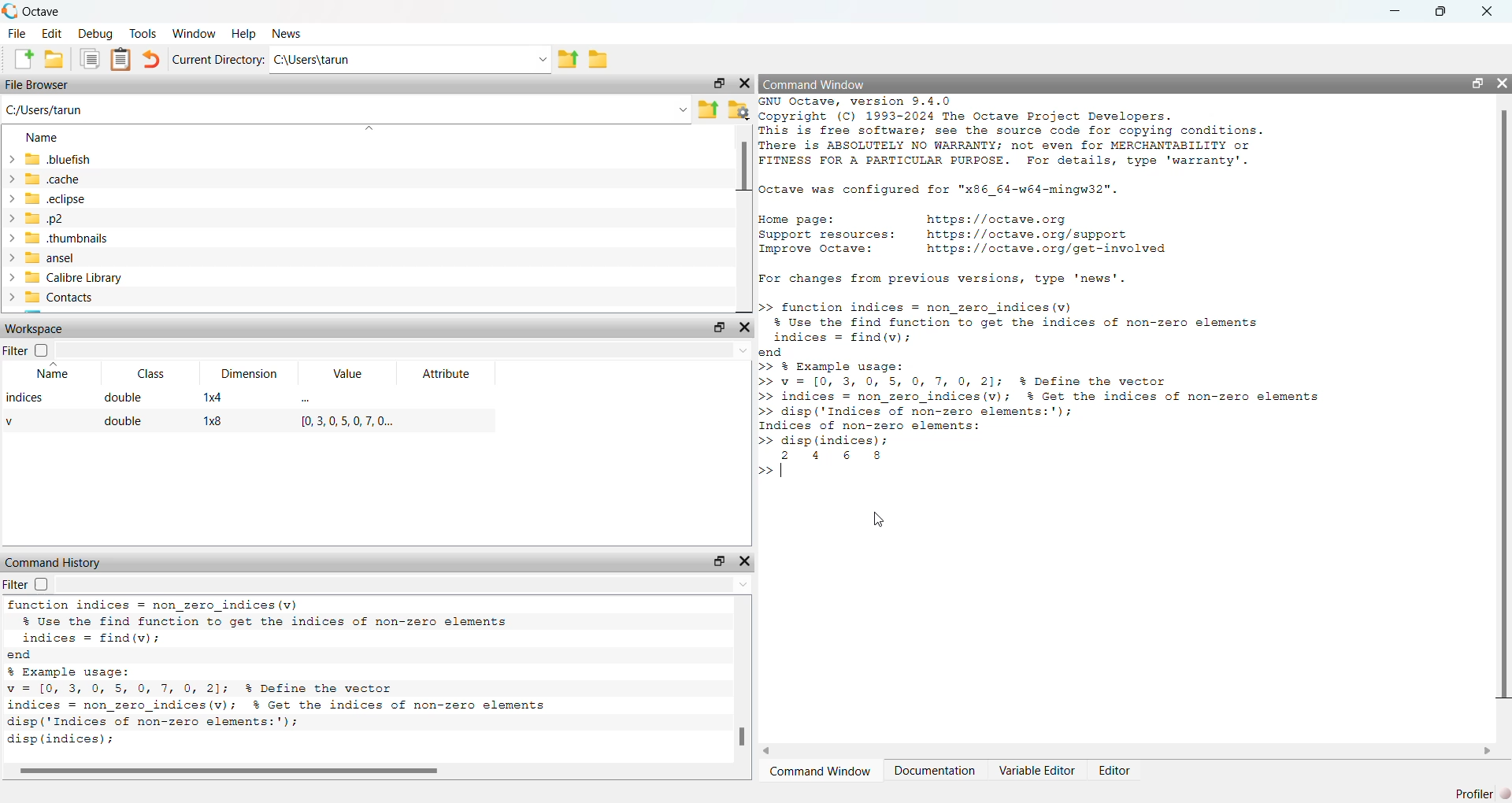 This screenshot has height=803, width=1512. Describe the element at coordinates (719, 328) in the screenshot. I see `restore down` at that location.